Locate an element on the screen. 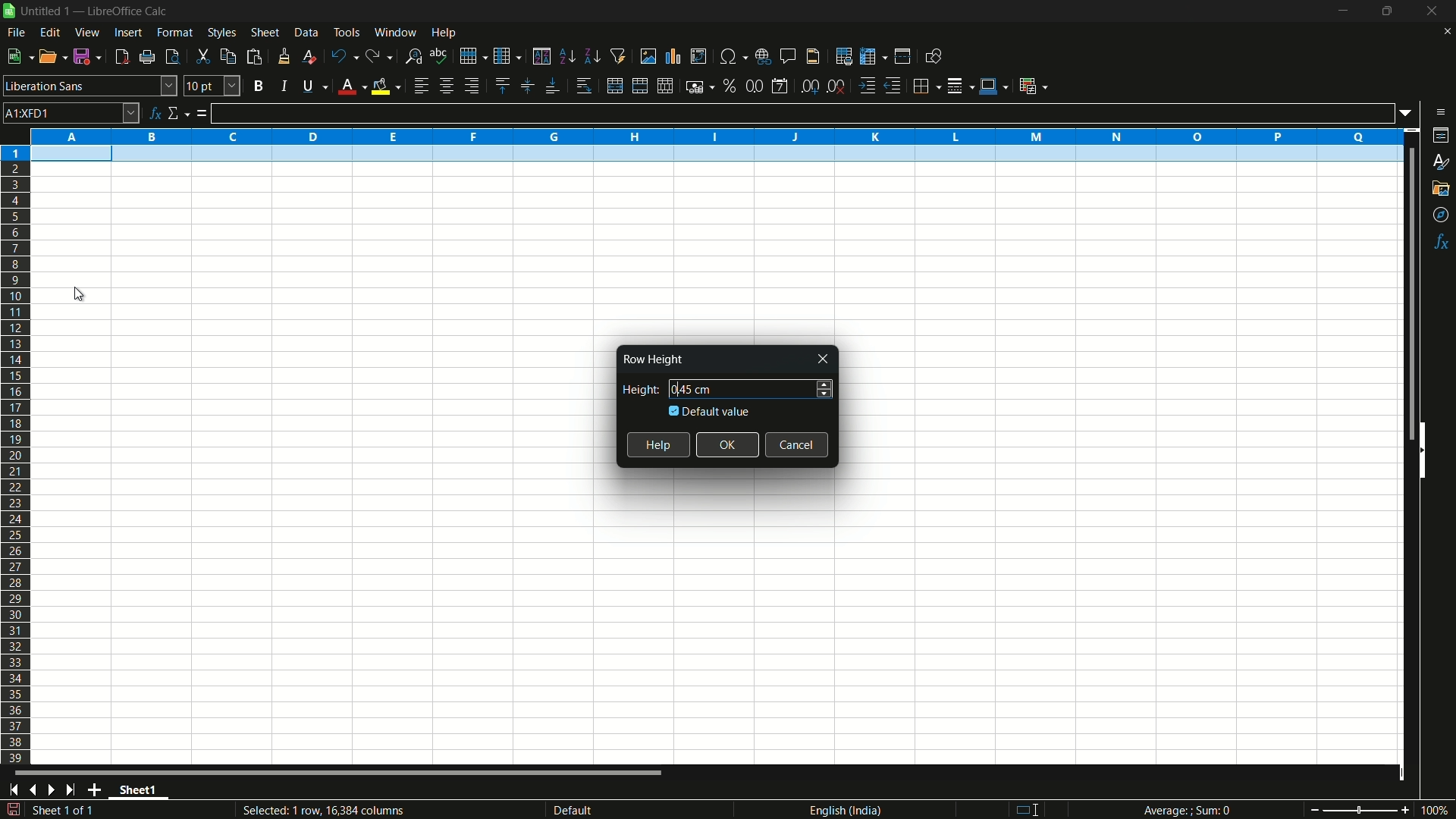  selected row is located at coordinates (708, 155).